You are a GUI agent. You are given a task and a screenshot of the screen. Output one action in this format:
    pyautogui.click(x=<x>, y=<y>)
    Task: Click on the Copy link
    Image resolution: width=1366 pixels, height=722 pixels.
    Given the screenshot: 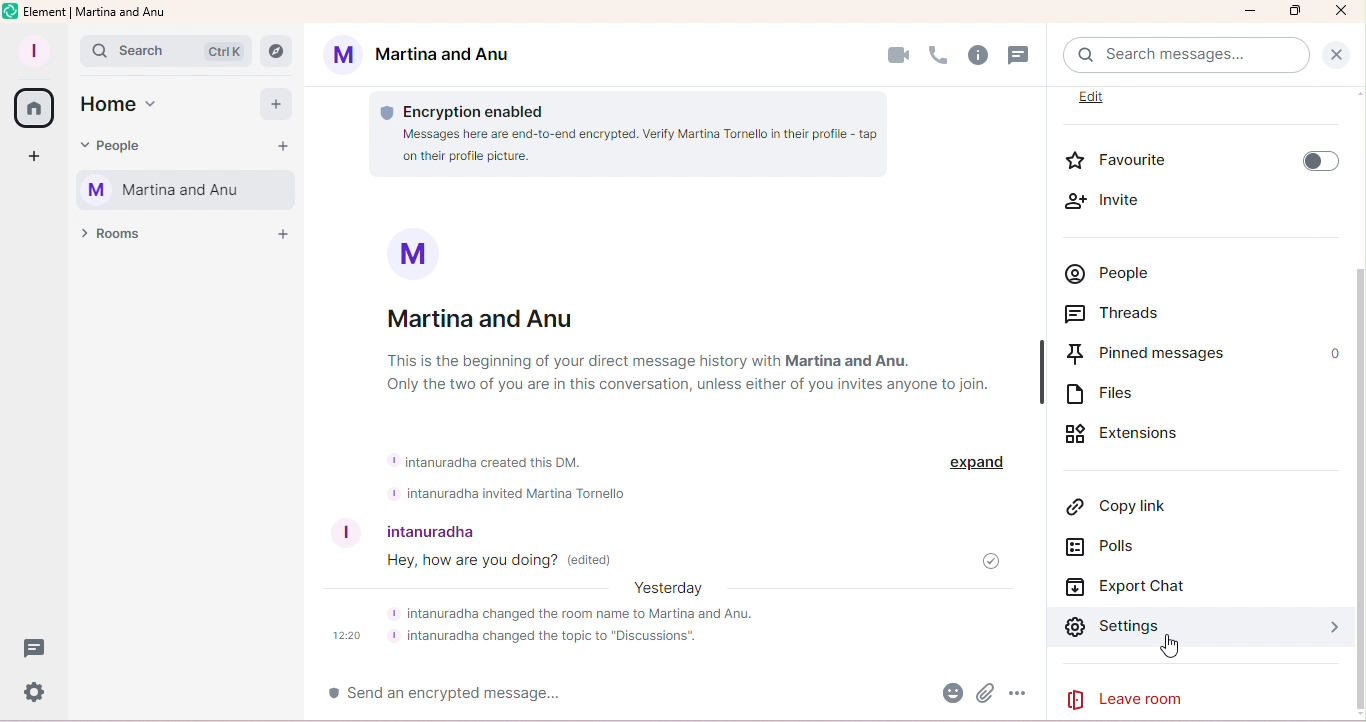 What is the action you would take?
    pyautogui.click(x=1110, y=506)
    